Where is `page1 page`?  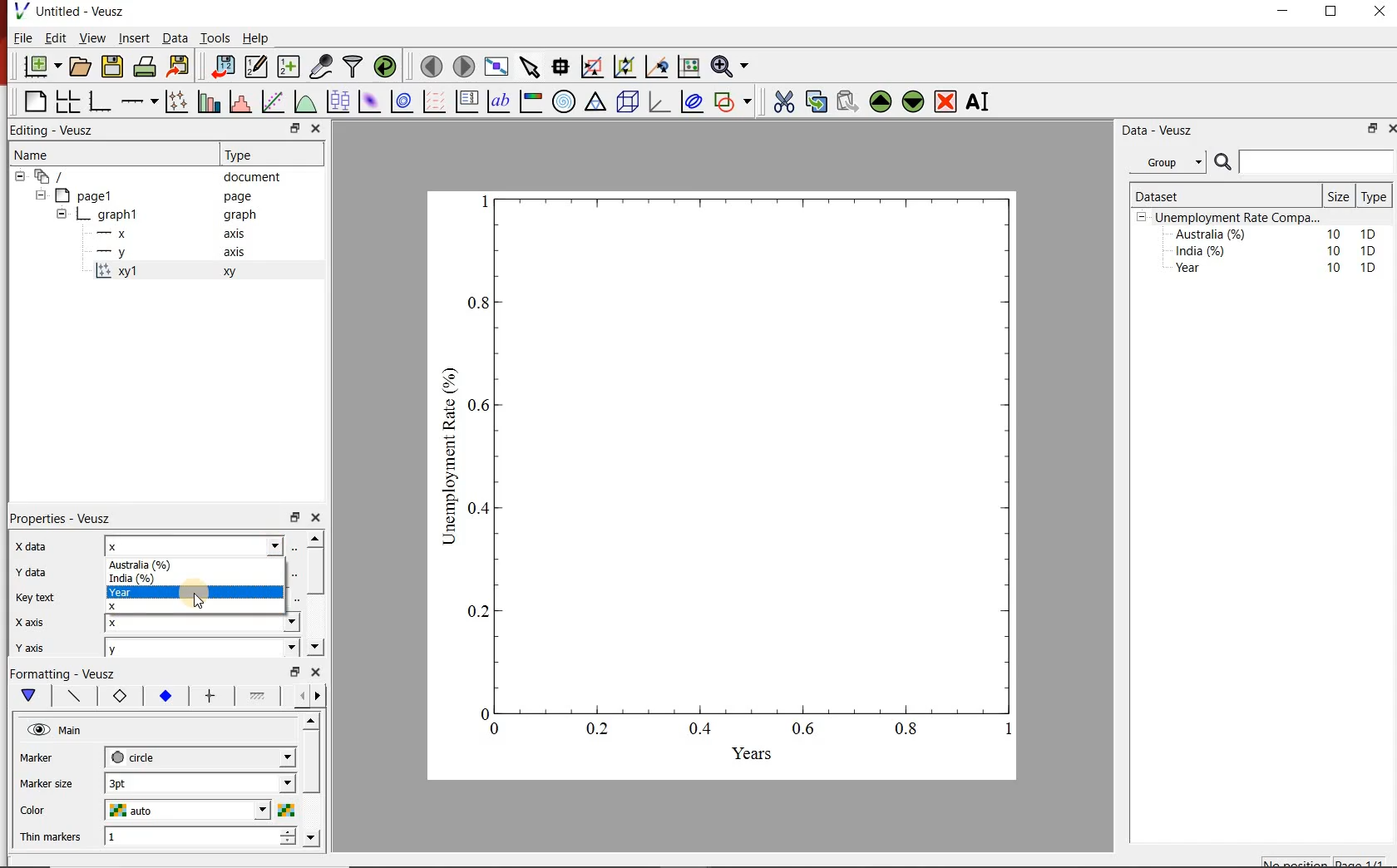 page1 page is located at coordinates (160, 195).